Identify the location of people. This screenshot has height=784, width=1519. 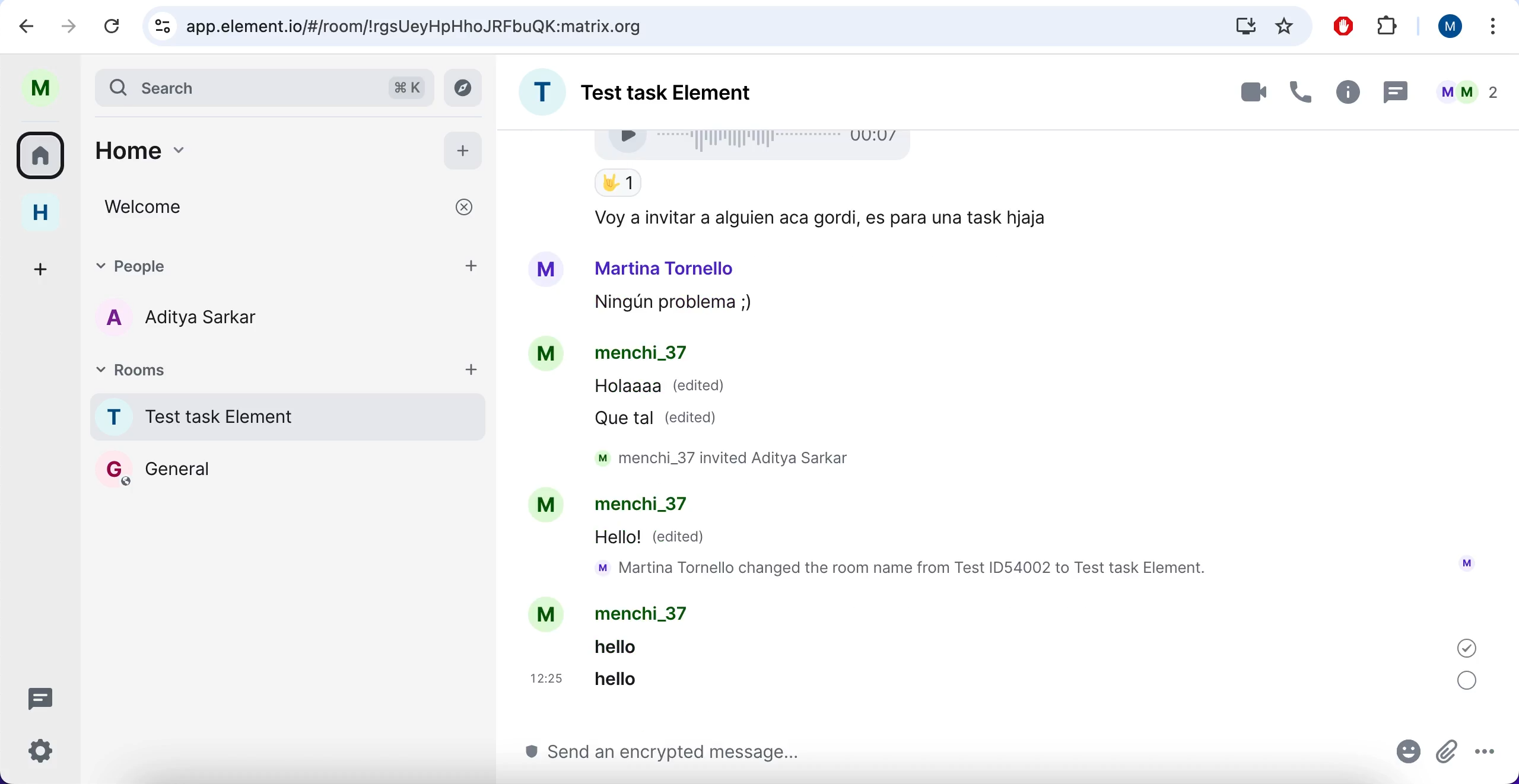
(253, 264).